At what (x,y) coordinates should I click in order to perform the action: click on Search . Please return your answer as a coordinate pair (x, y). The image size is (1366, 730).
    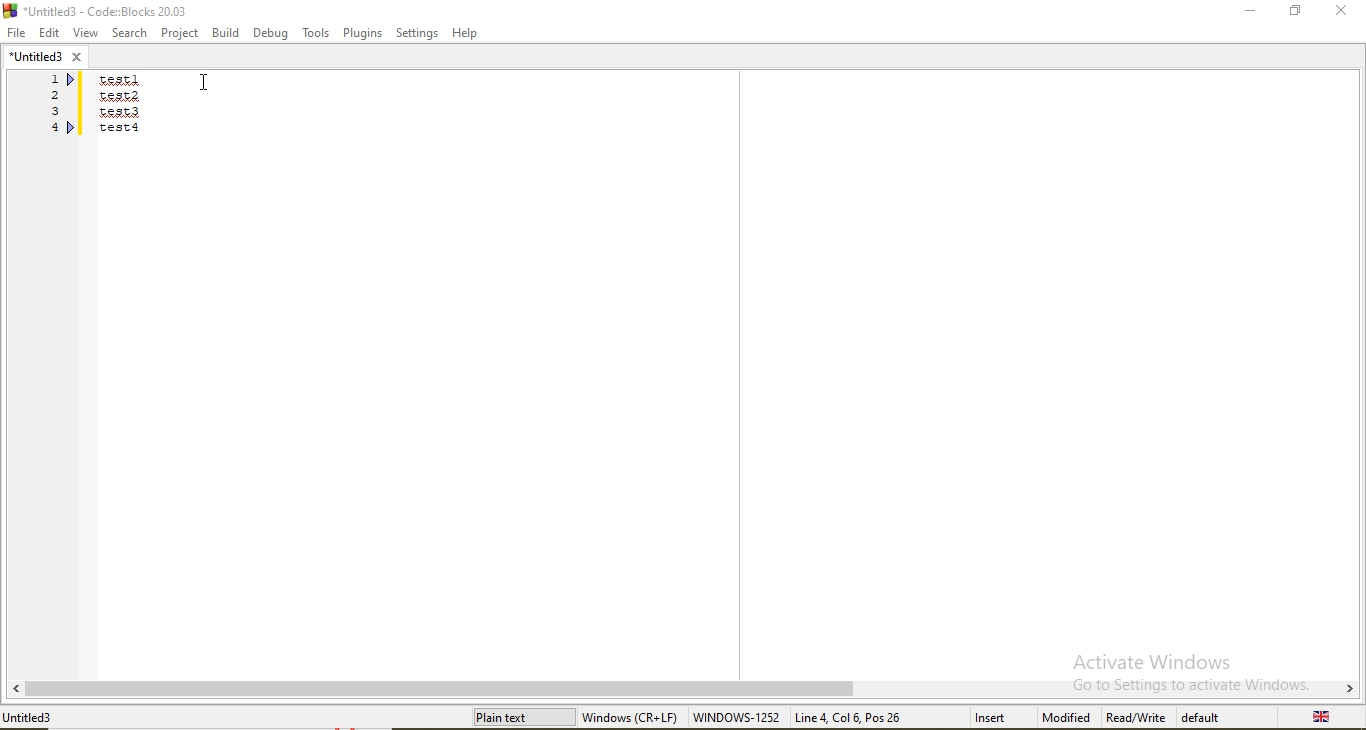
    Looking at the image, I should click on (127, 32).